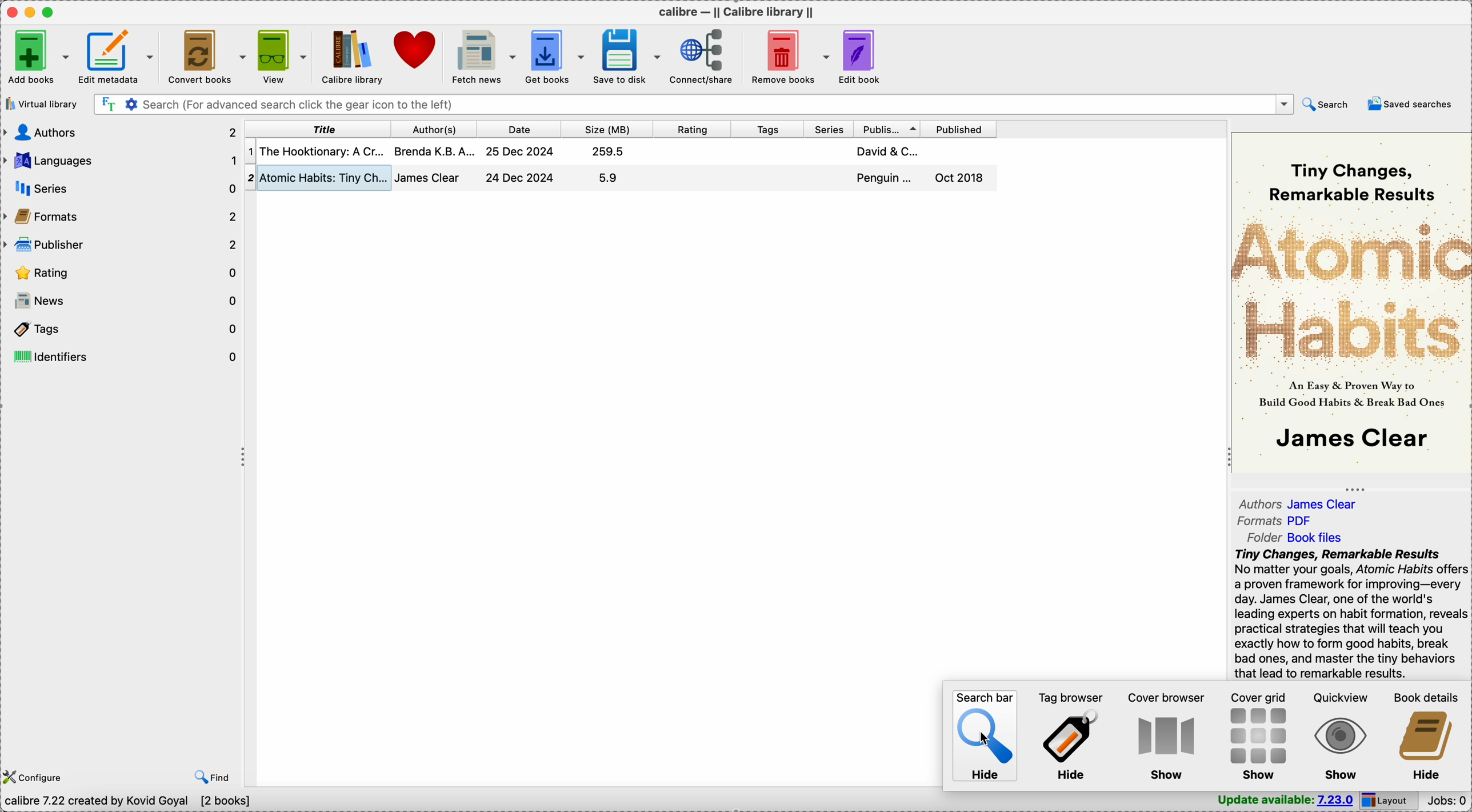  Describe the element at coordinates (1354, 489) in the screenshot. I see `toggle expand/contract` at that location.